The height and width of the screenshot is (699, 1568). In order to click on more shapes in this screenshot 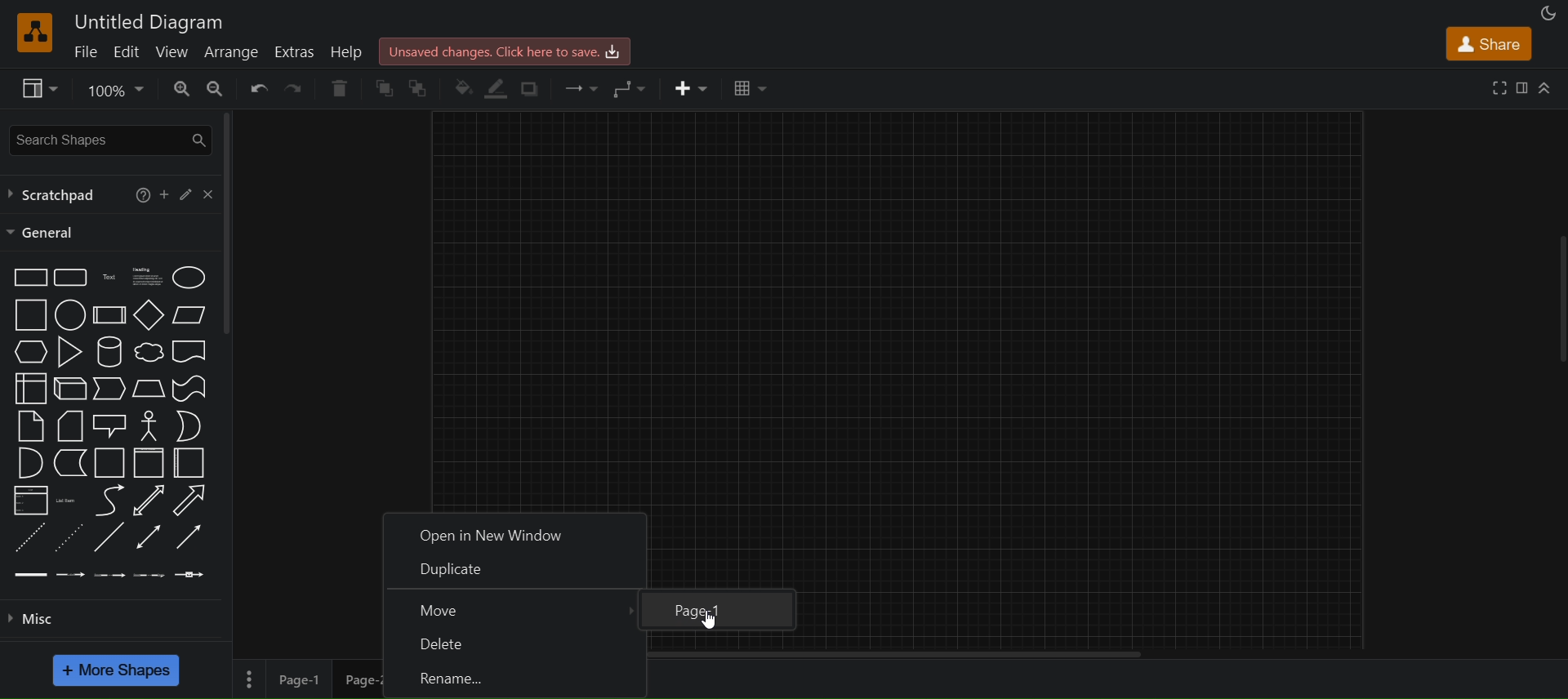, I will do `click(118, 670)`.